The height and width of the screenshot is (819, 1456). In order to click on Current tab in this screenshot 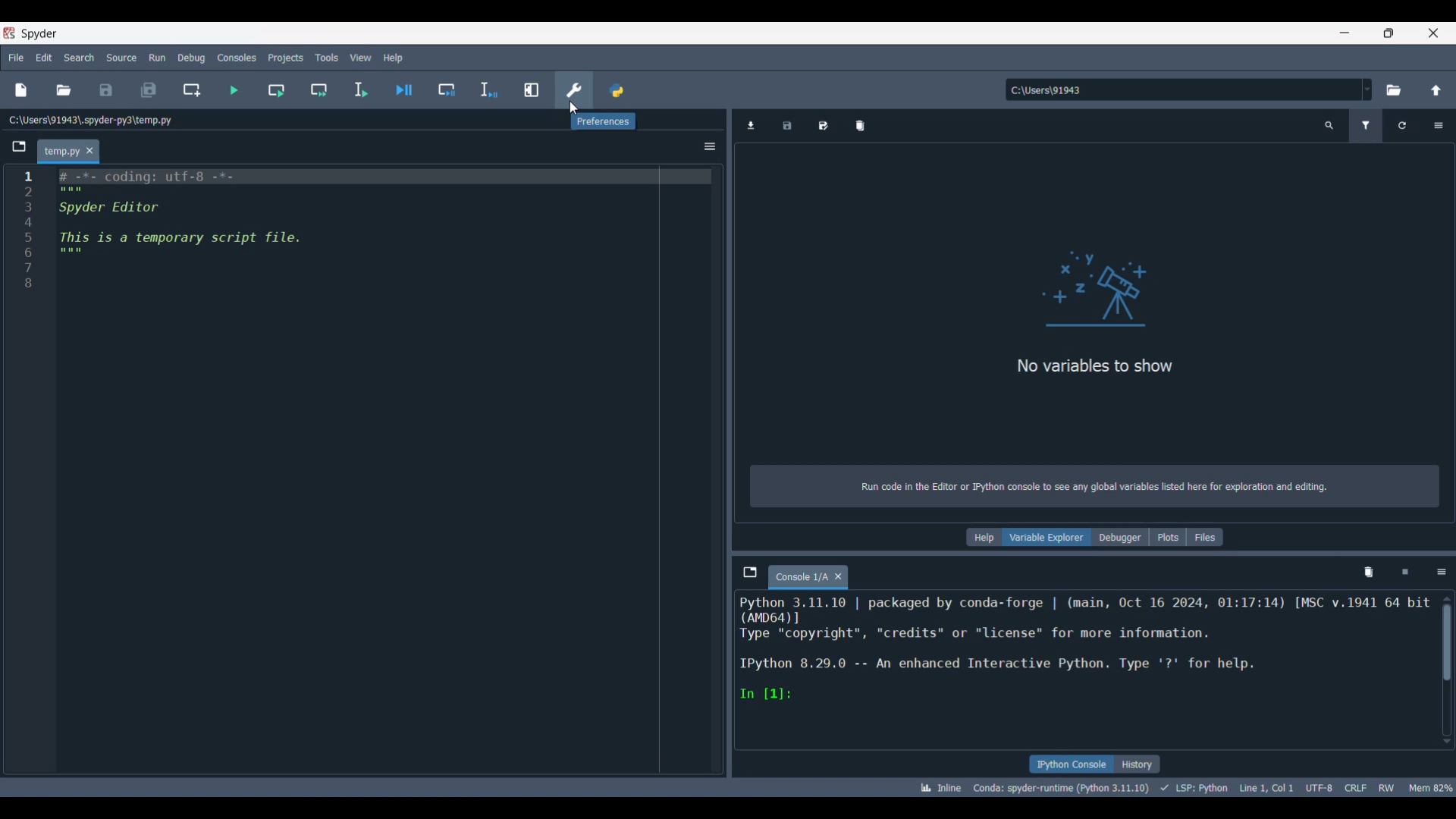, I will do `click(800, 578)`.